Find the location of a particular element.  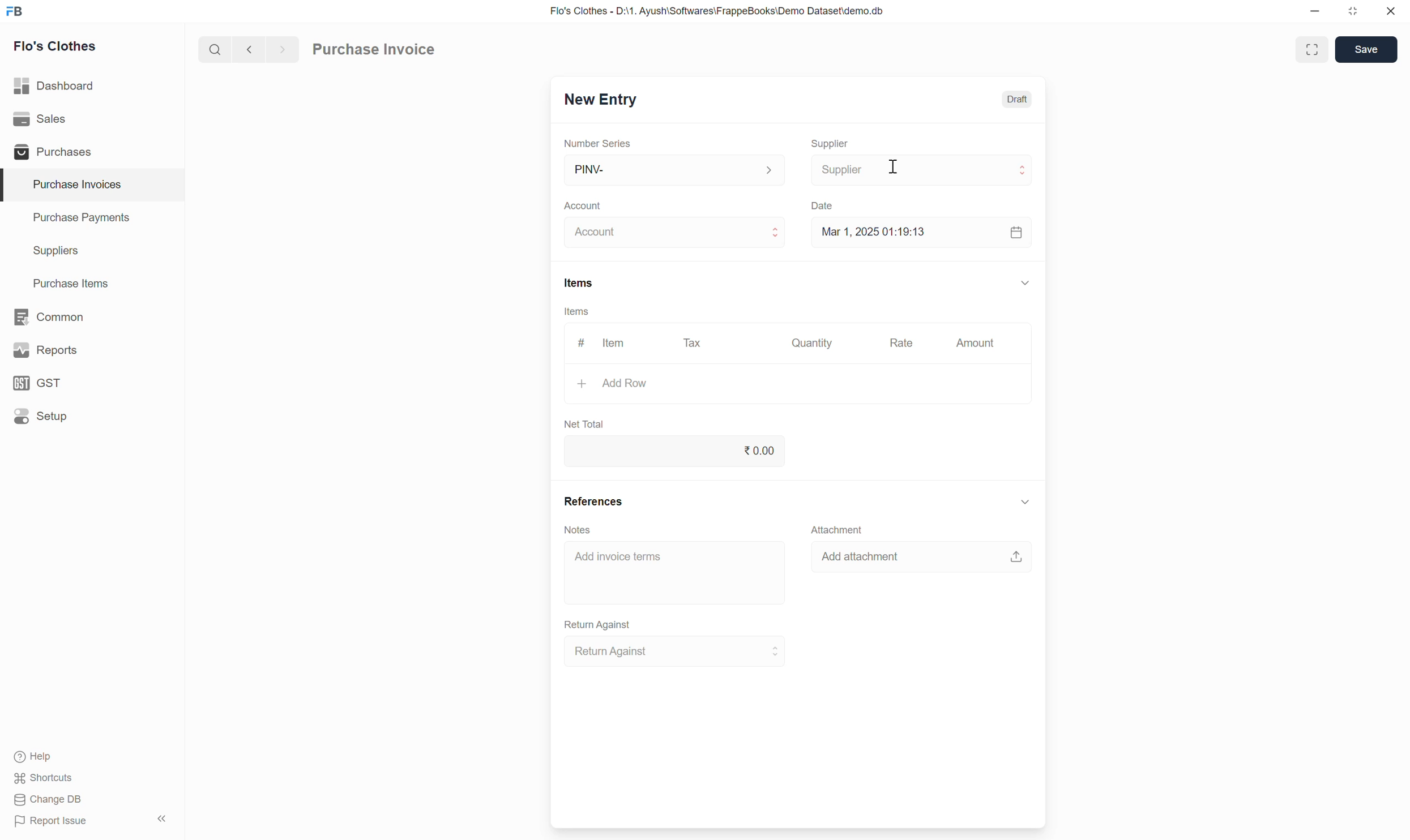

Save is located at coordinates (1365, 49).